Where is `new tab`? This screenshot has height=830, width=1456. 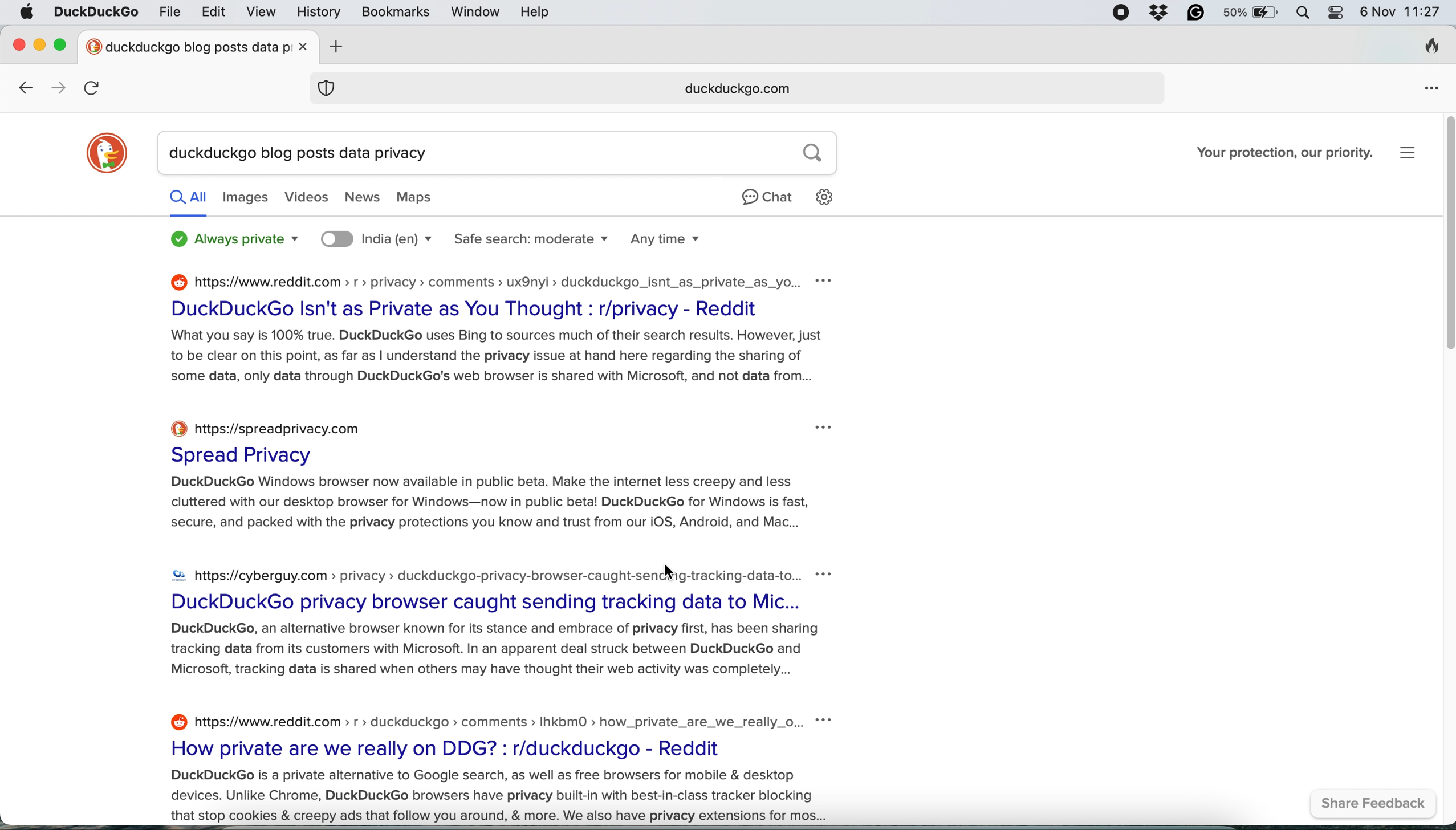
new tab is located at coordinates (335, 44).